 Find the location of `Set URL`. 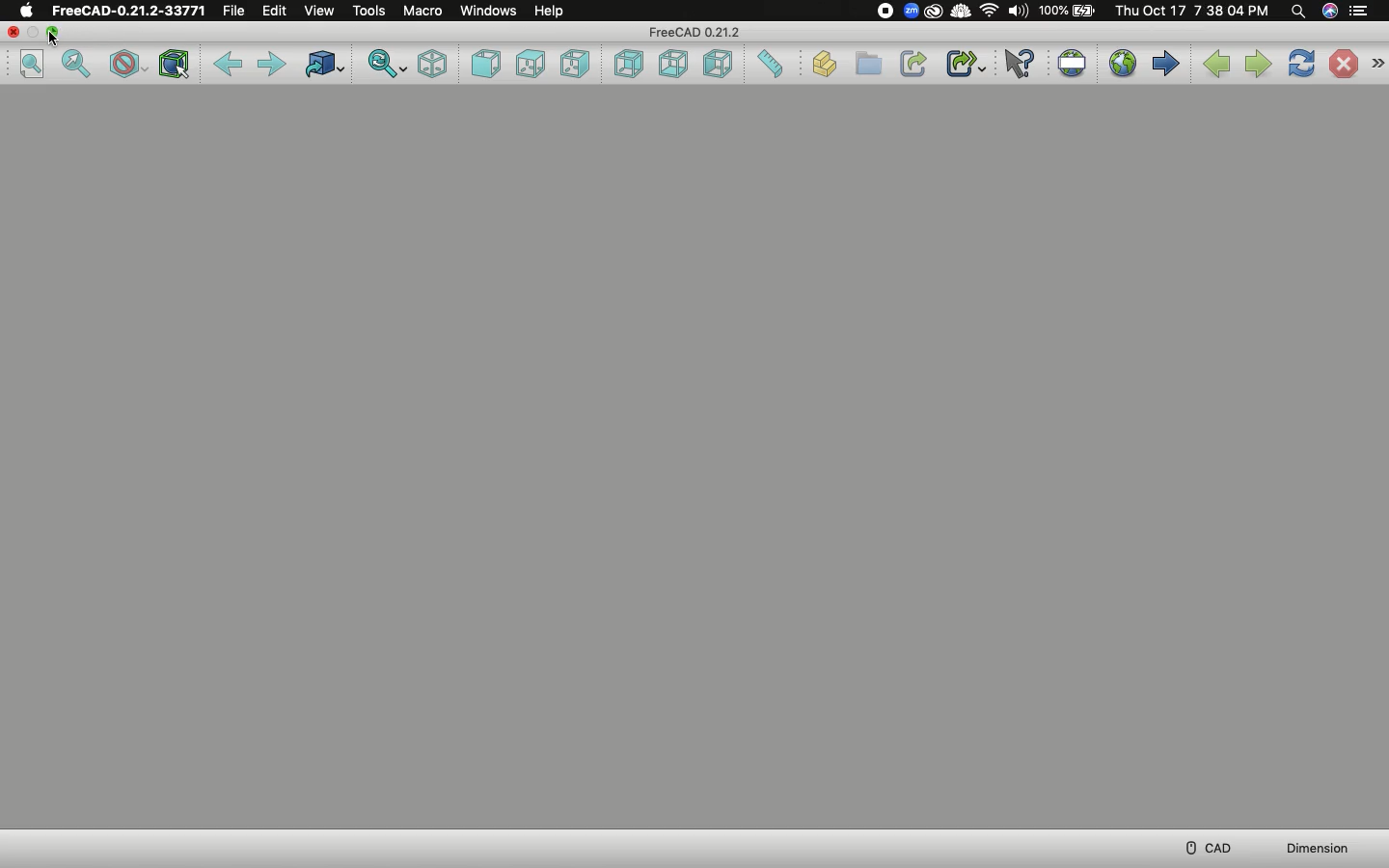

Set URL is located at coordinates (1071, 64).